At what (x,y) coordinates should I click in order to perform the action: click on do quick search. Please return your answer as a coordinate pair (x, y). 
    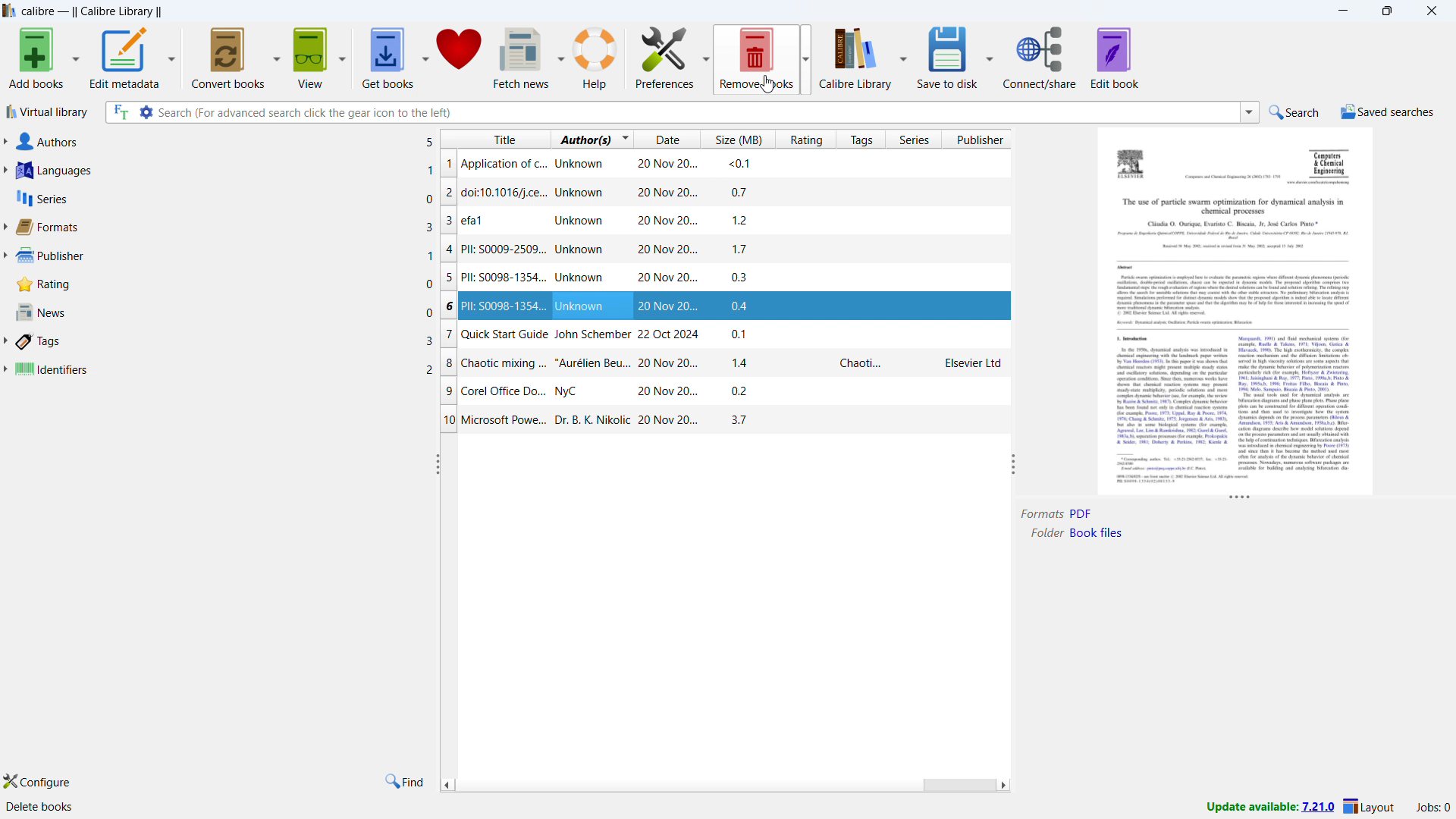
    Looking at the image, I should click on (1296, 111).